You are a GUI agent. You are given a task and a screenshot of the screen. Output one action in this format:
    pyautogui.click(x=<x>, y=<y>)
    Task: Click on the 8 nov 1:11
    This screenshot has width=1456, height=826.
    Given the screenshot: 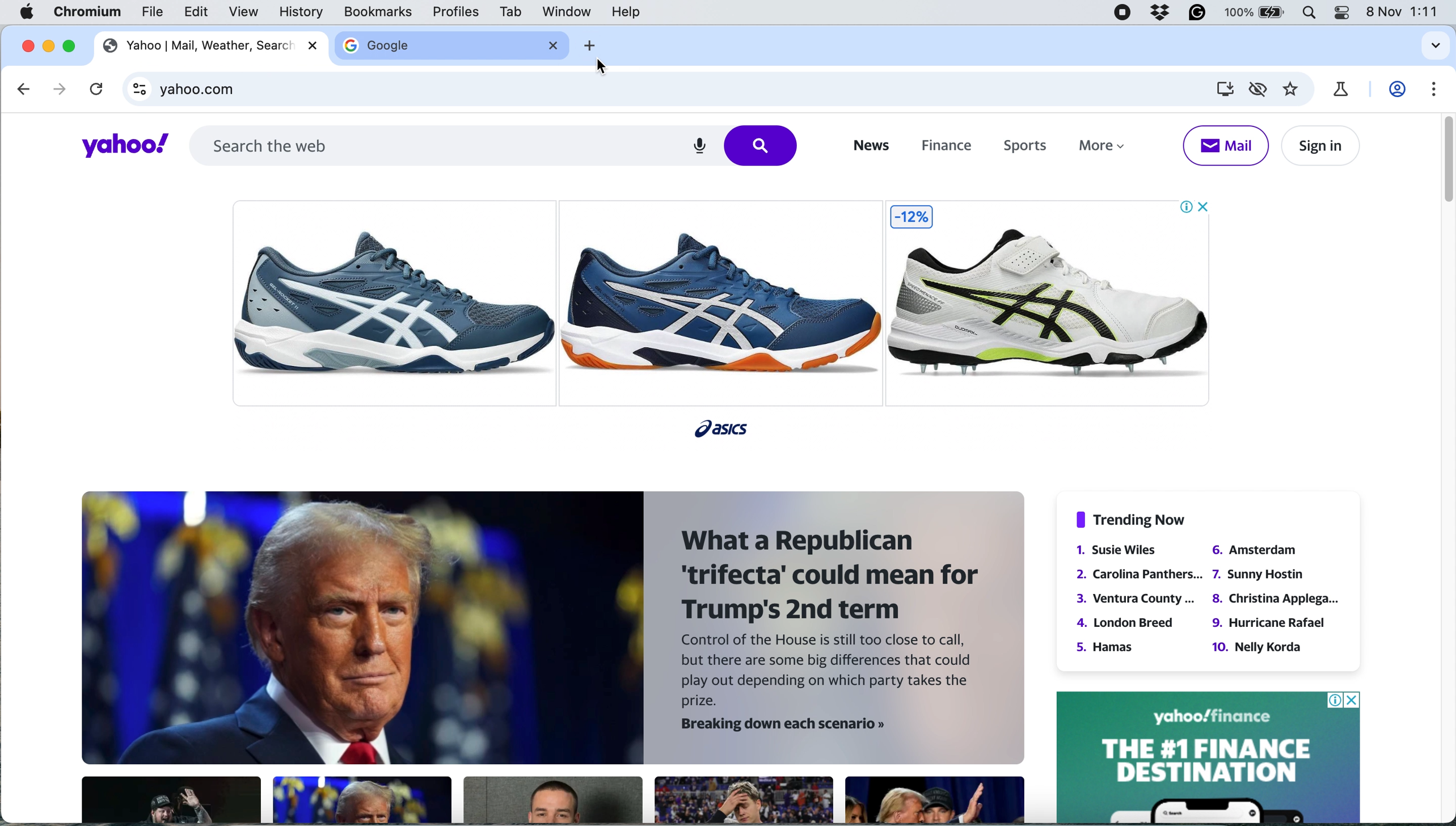 What is the action you would take?
    pyautogui.click(x=1405, y=12)
    